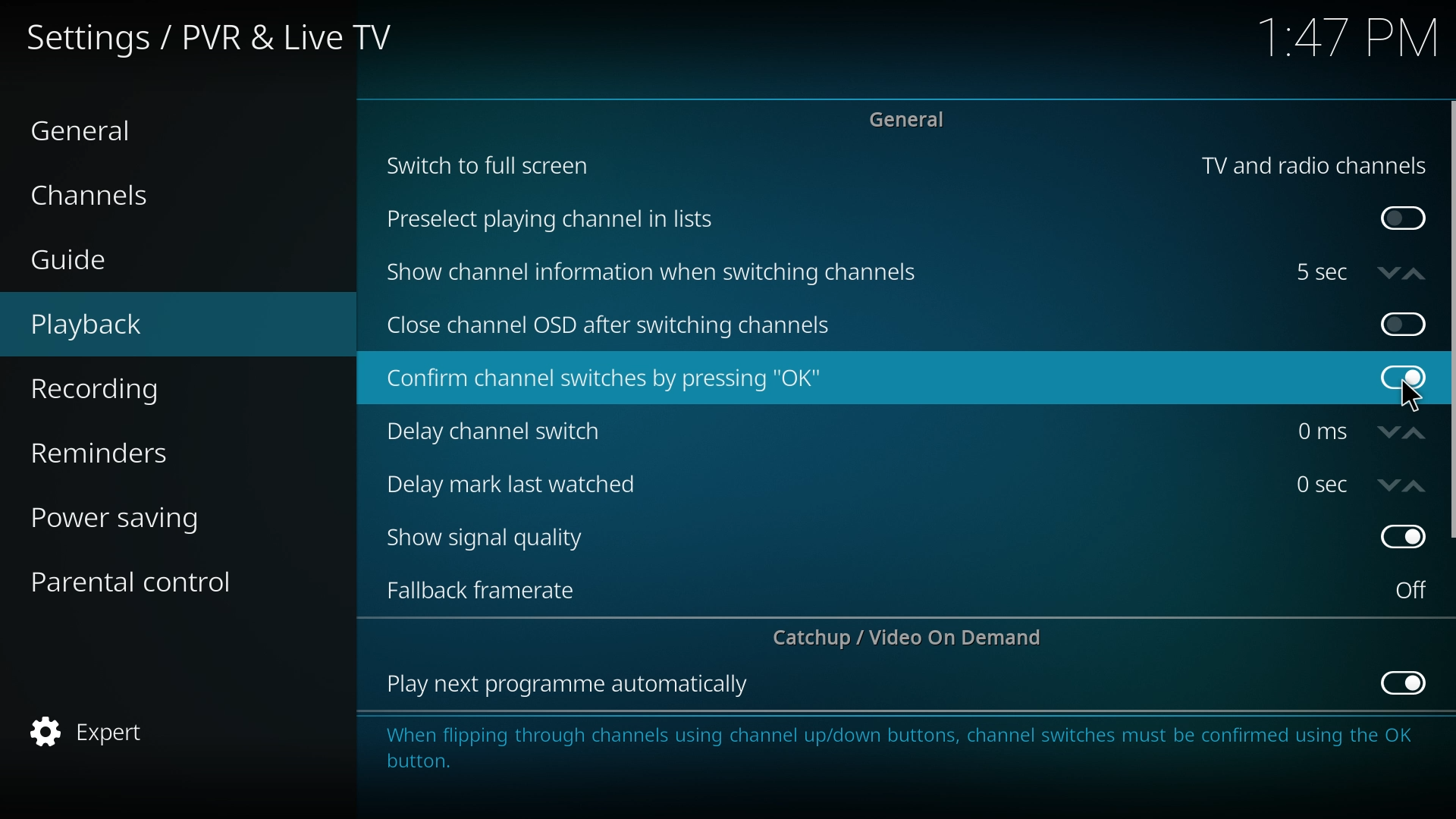  What do you see at coordinates (1322, 484) in the screenshot?
I see `time` at bounding box center [1322, 484].